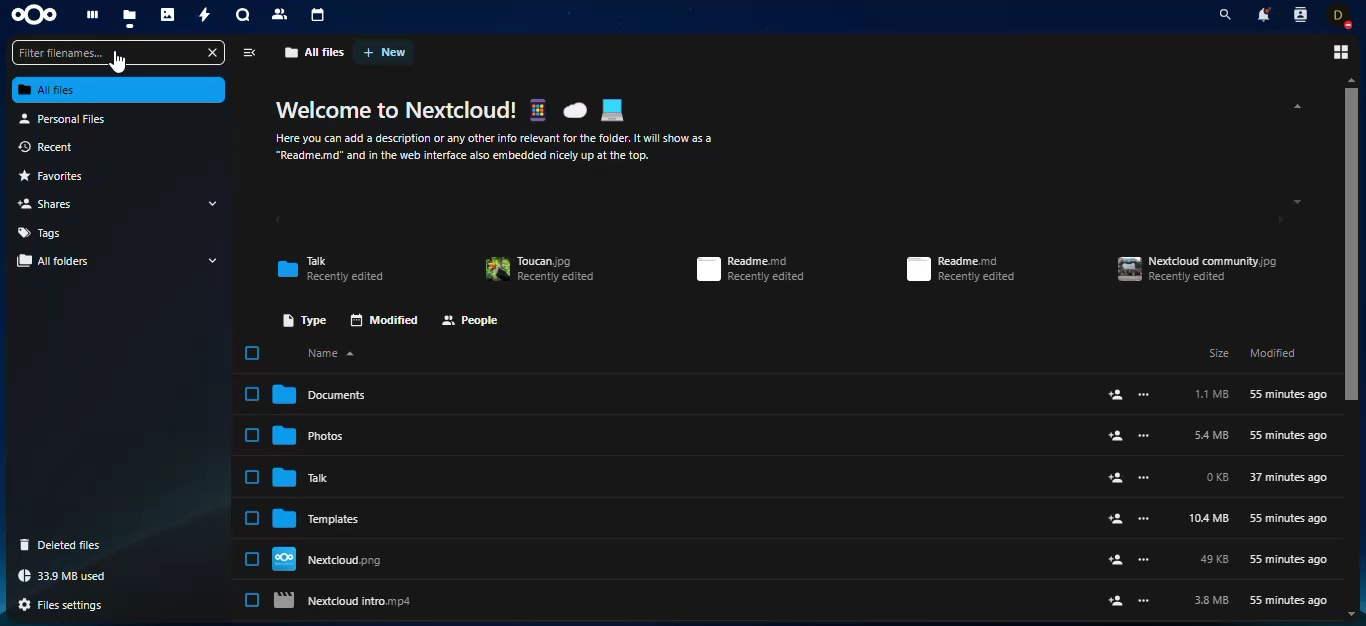 The height and width of the screenshot is (626, 1366). I want to click on deleted files, so click(66, 545).